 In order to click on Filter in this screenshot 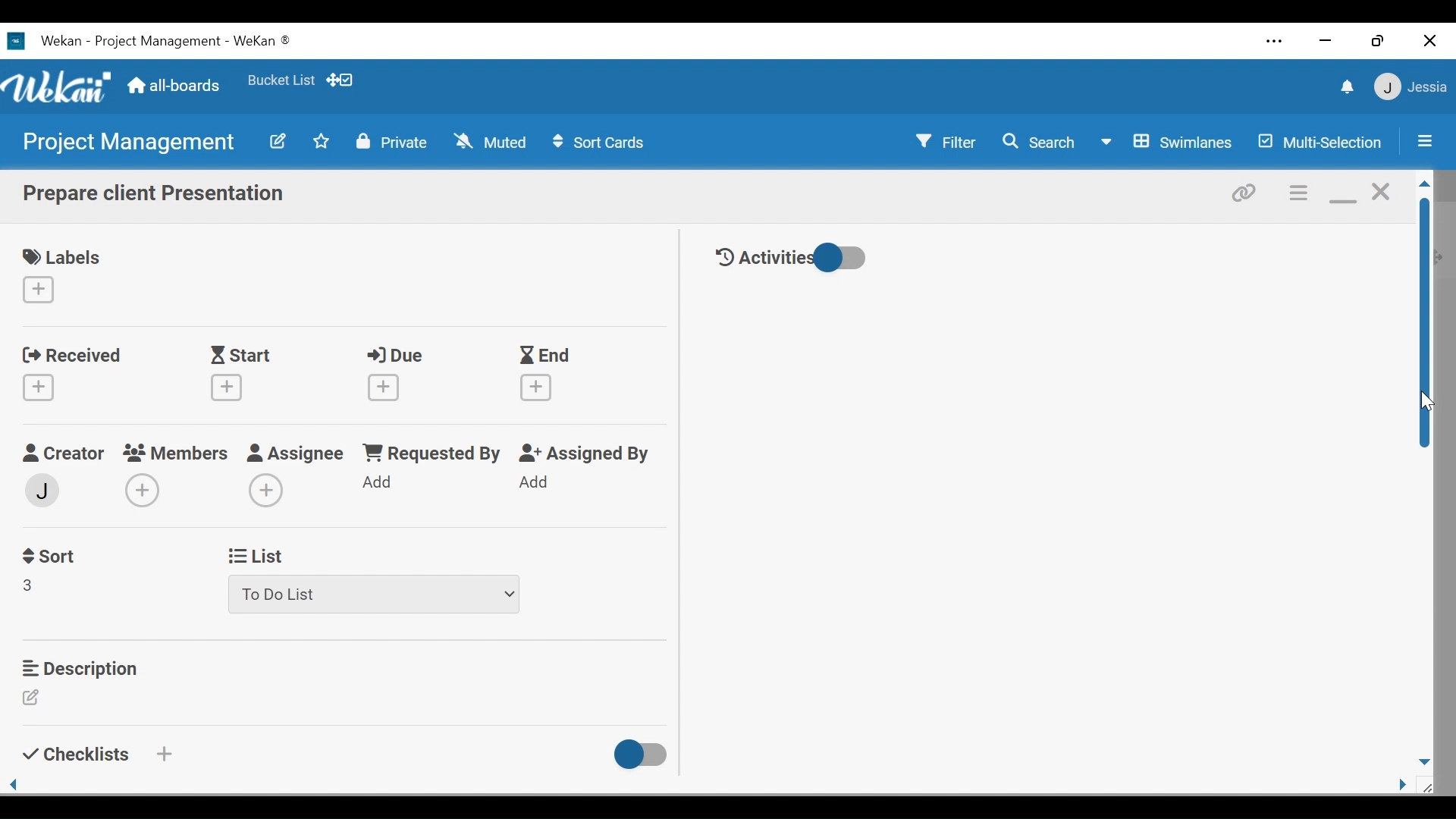, I will do `click(946, 140)`.